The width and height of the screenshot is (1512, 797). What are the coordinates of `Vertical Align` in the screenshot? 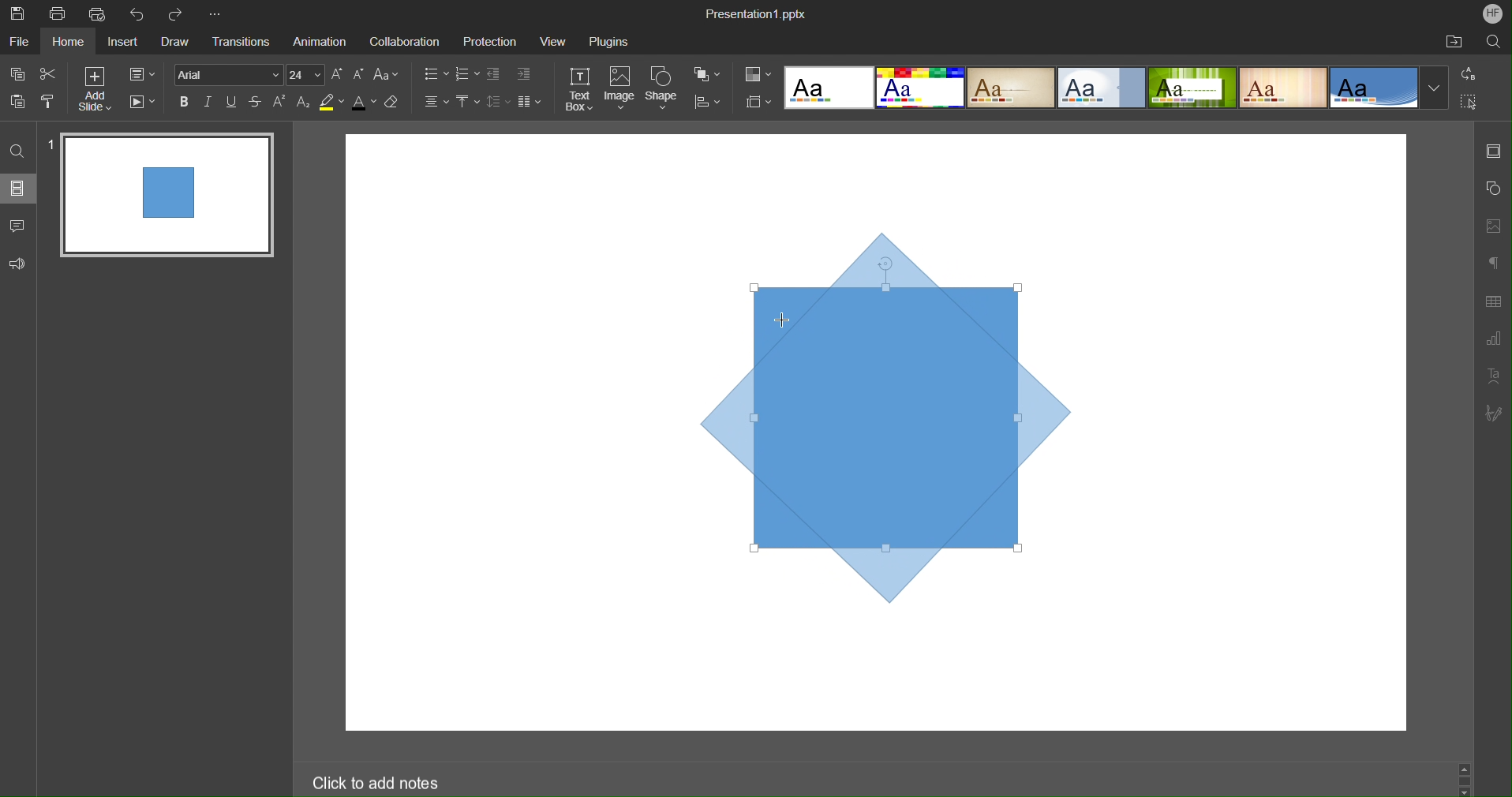 It's located at (468, 102).